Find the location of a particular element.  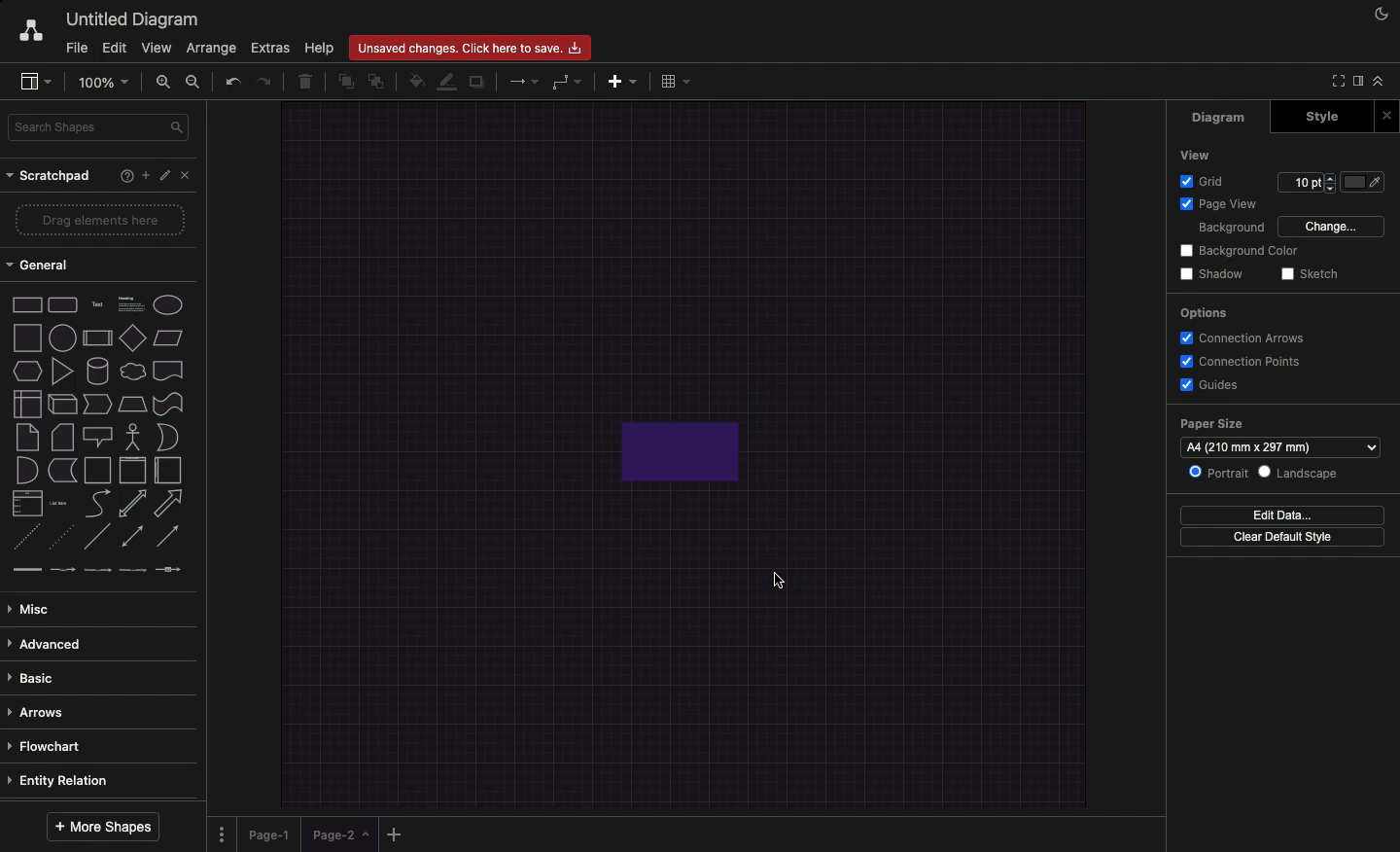

Flowchart is located at coordinates (48, 745).